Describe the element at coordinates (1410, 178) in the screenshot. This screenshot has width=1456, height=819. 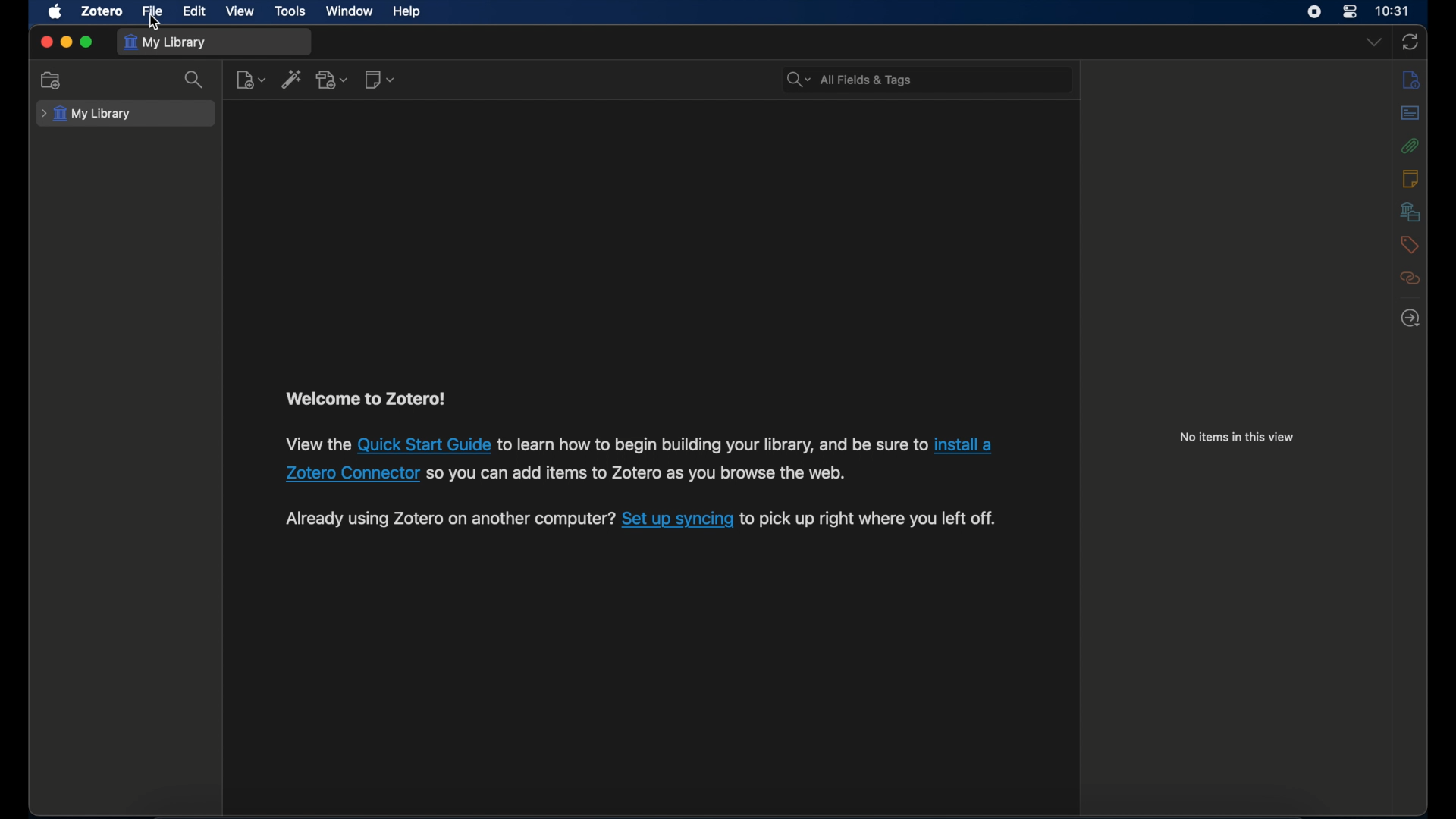
I see `notes` at that location.